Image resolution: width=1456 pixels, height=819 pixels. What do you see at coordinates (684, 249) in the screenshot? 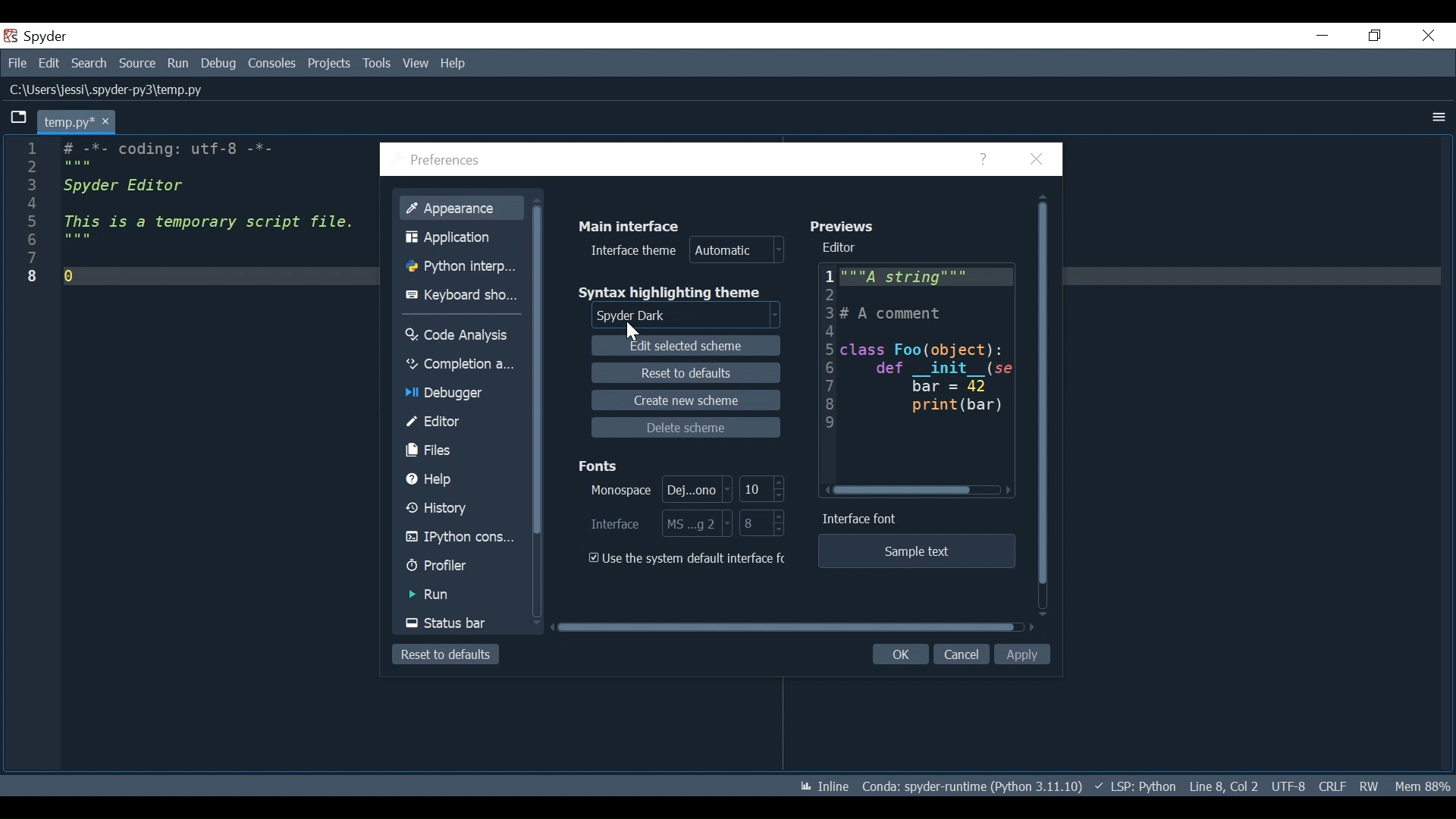
I see `Interface theme` at bounding box center [684, 249].